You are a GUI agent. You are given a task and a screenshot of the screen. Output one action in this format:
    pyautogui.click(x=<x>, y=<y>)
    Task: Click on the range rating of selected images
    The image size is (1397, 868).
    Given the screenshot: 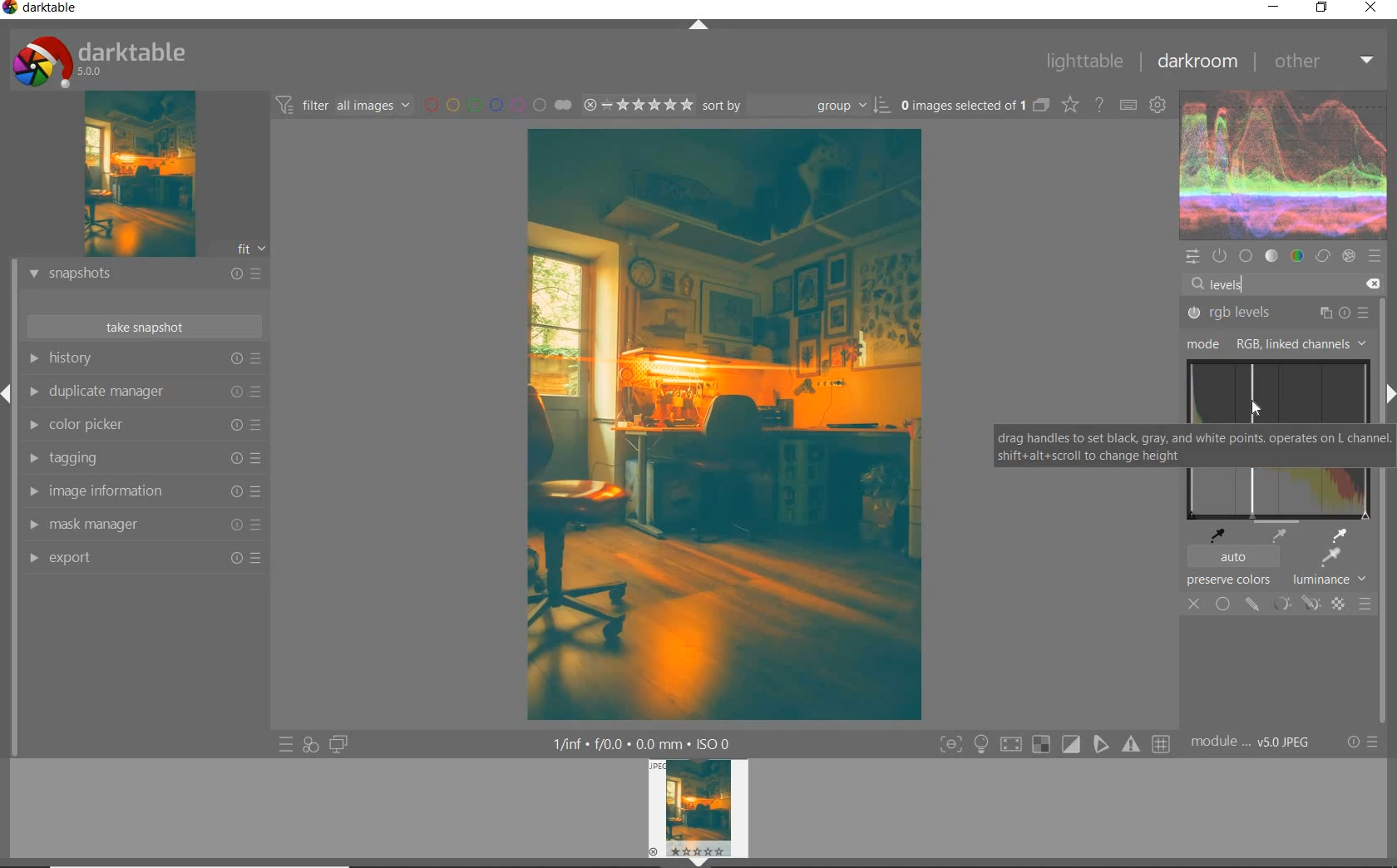 What is the action you would take?
    pyautogui.click(x=638, y=105)
    